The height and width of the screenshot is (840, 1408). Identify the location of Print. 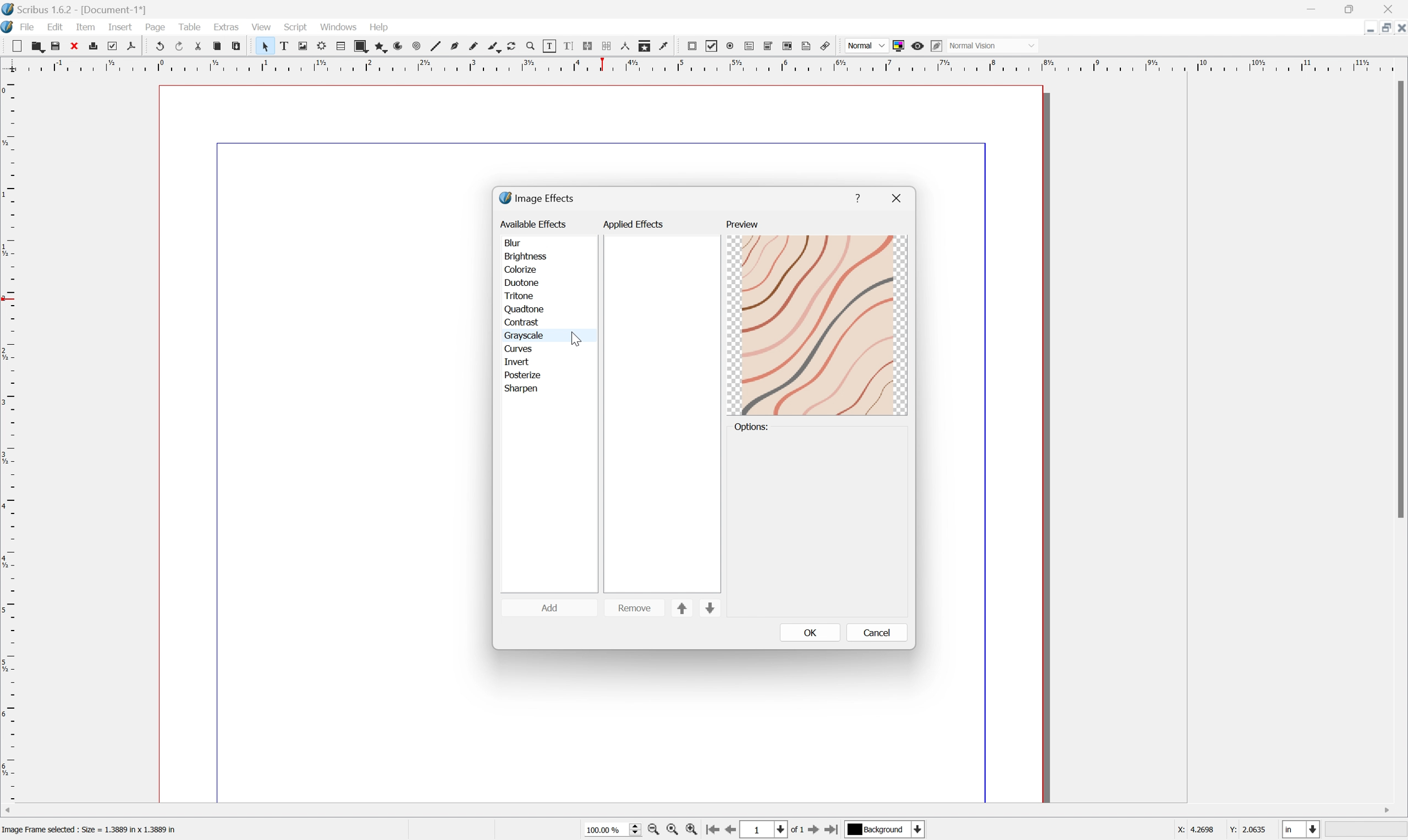
(97, 46).